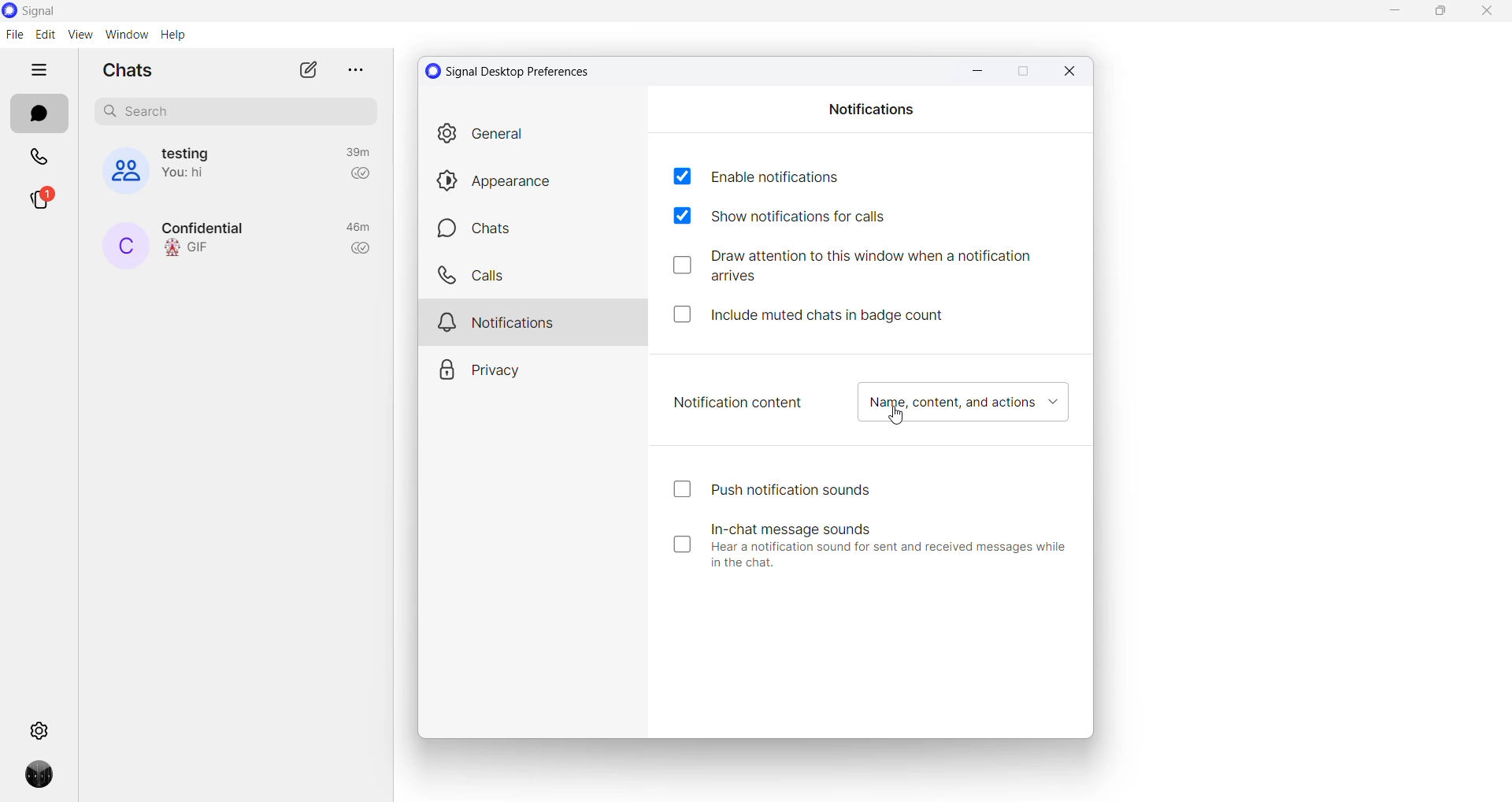 This screenshot has height=802, width=1512. Describe the element at coordinates (191, 152) in the screenshot. I see `group name` at that location.